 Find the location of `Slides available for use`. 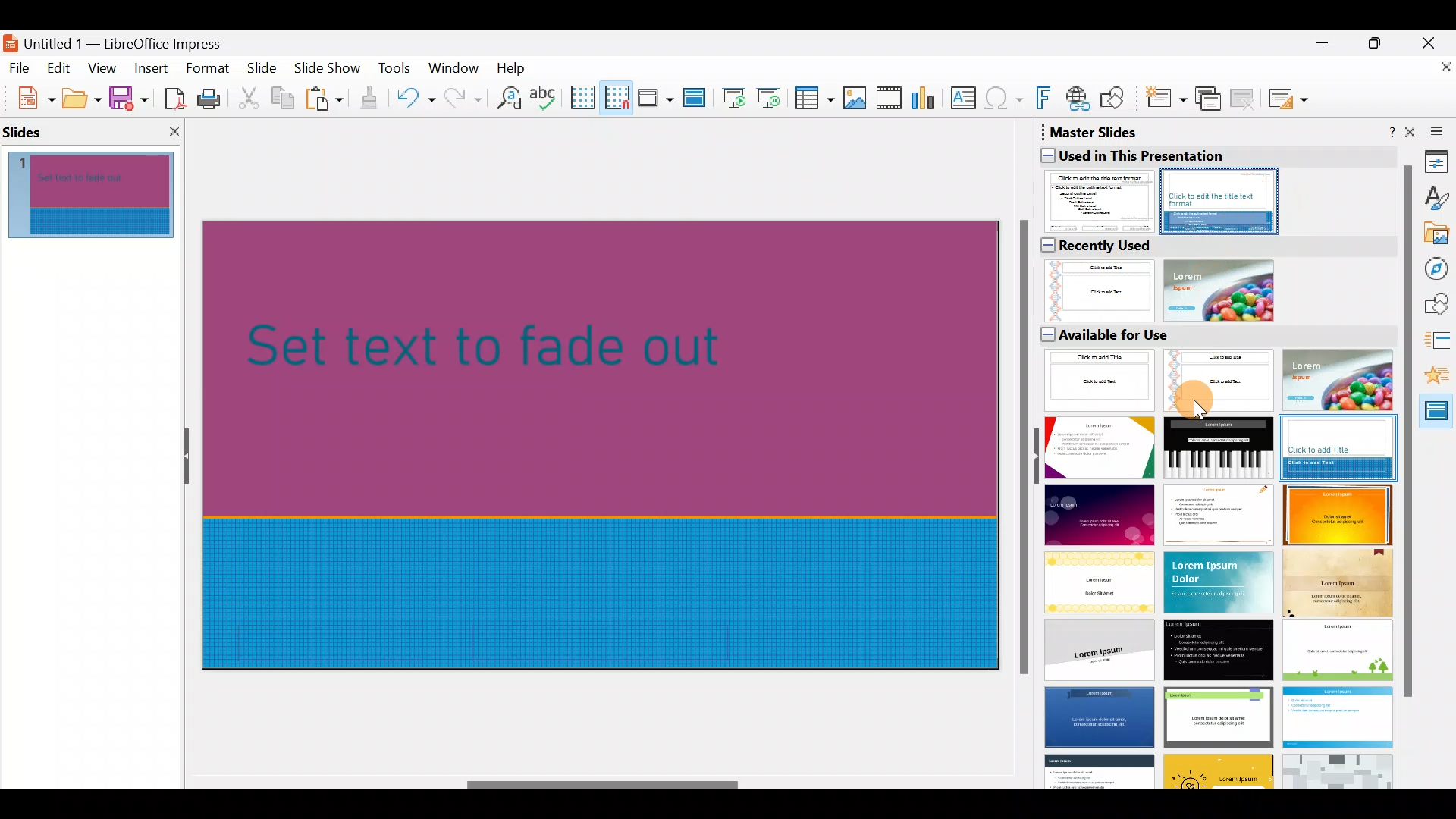

Slides available for use is located at coordinates (1214, 556).